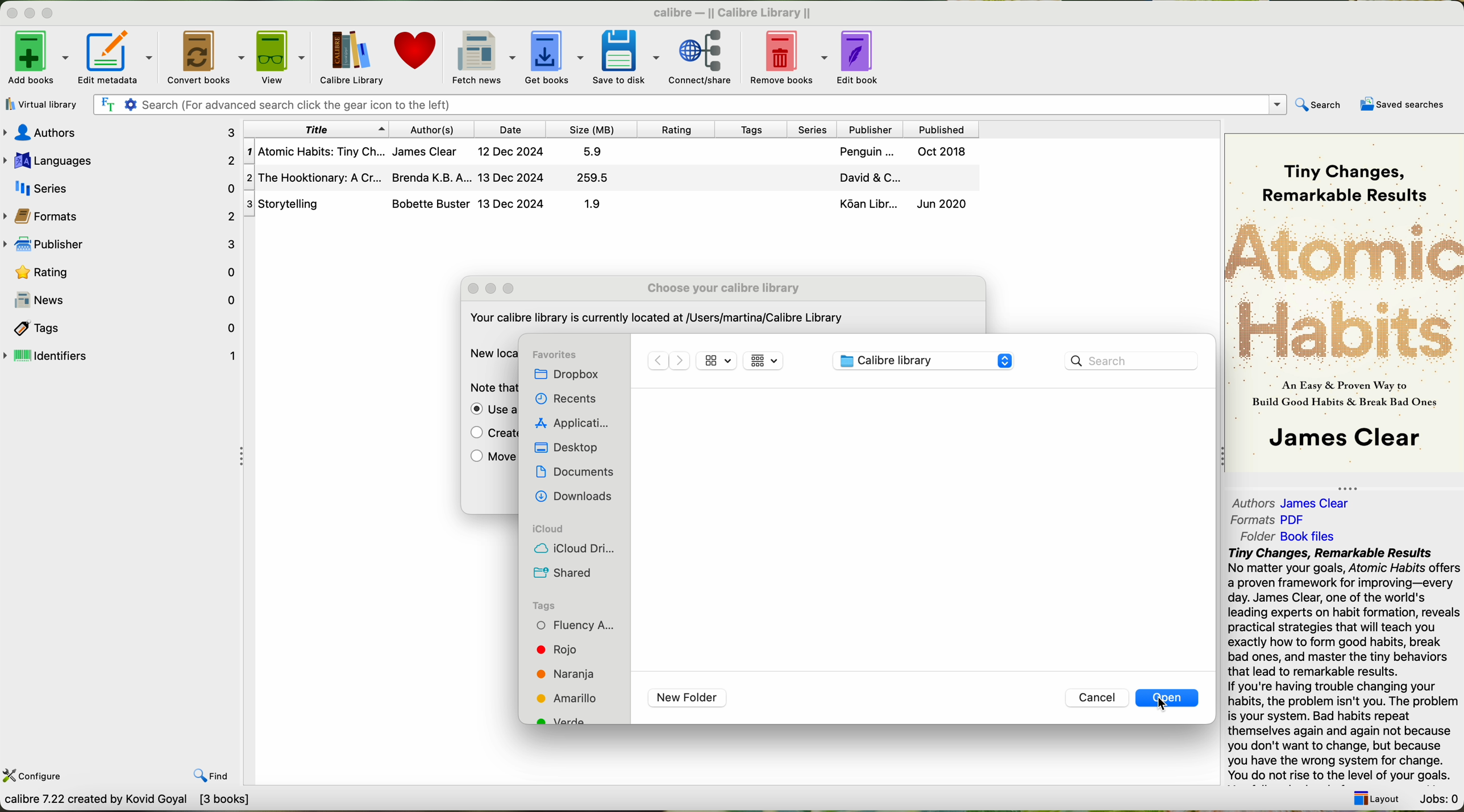 The width and height of the screenshot is (1464, 812). I want to click on check box, so click(472, 433).